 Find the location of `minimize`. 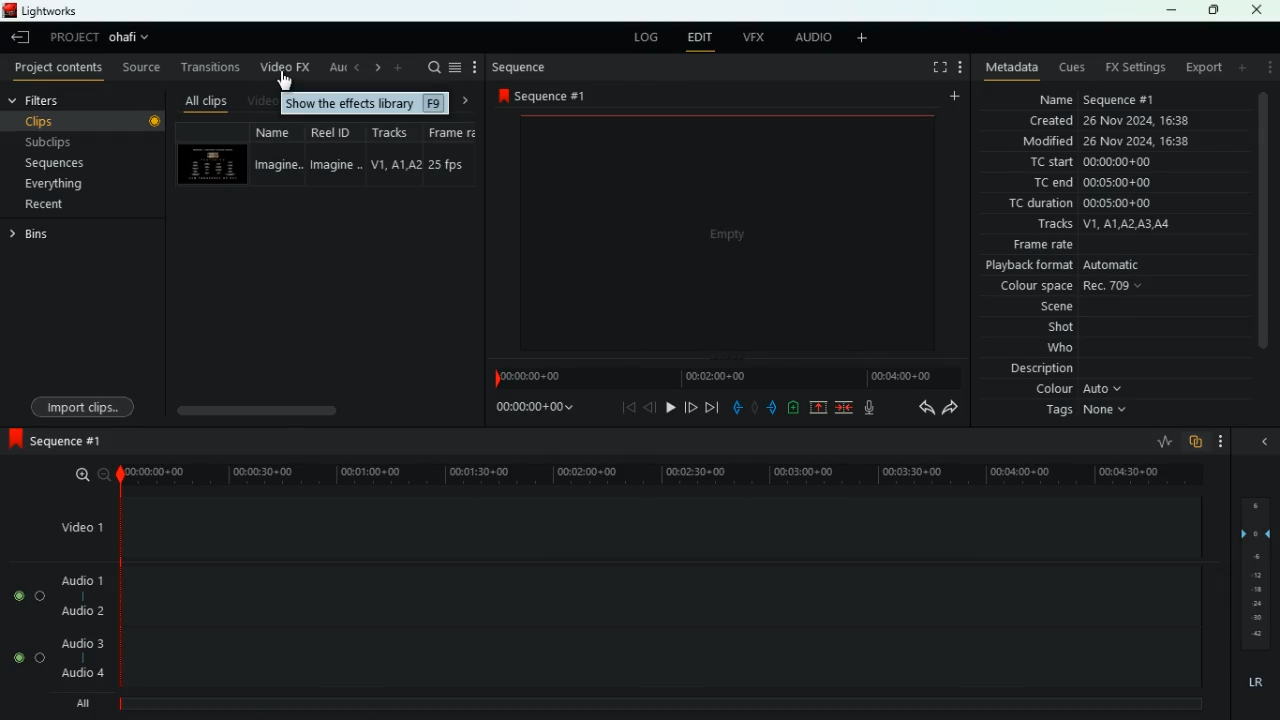

minimize is located at coordinates (1173, 11).